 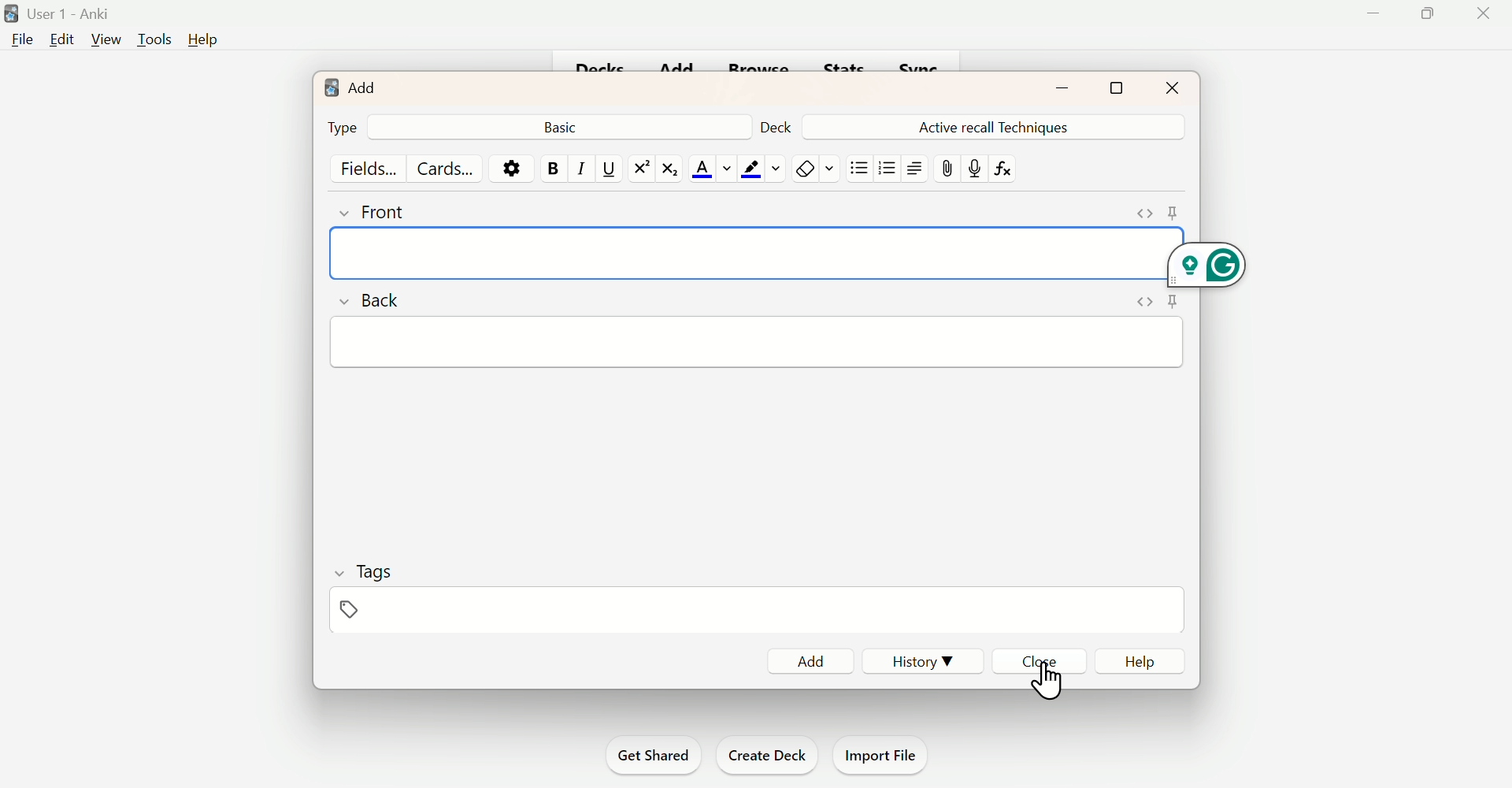 What do you see at coordinates (23, 42) in the screenshot?
I see `File` at bounding box center [23, 42].